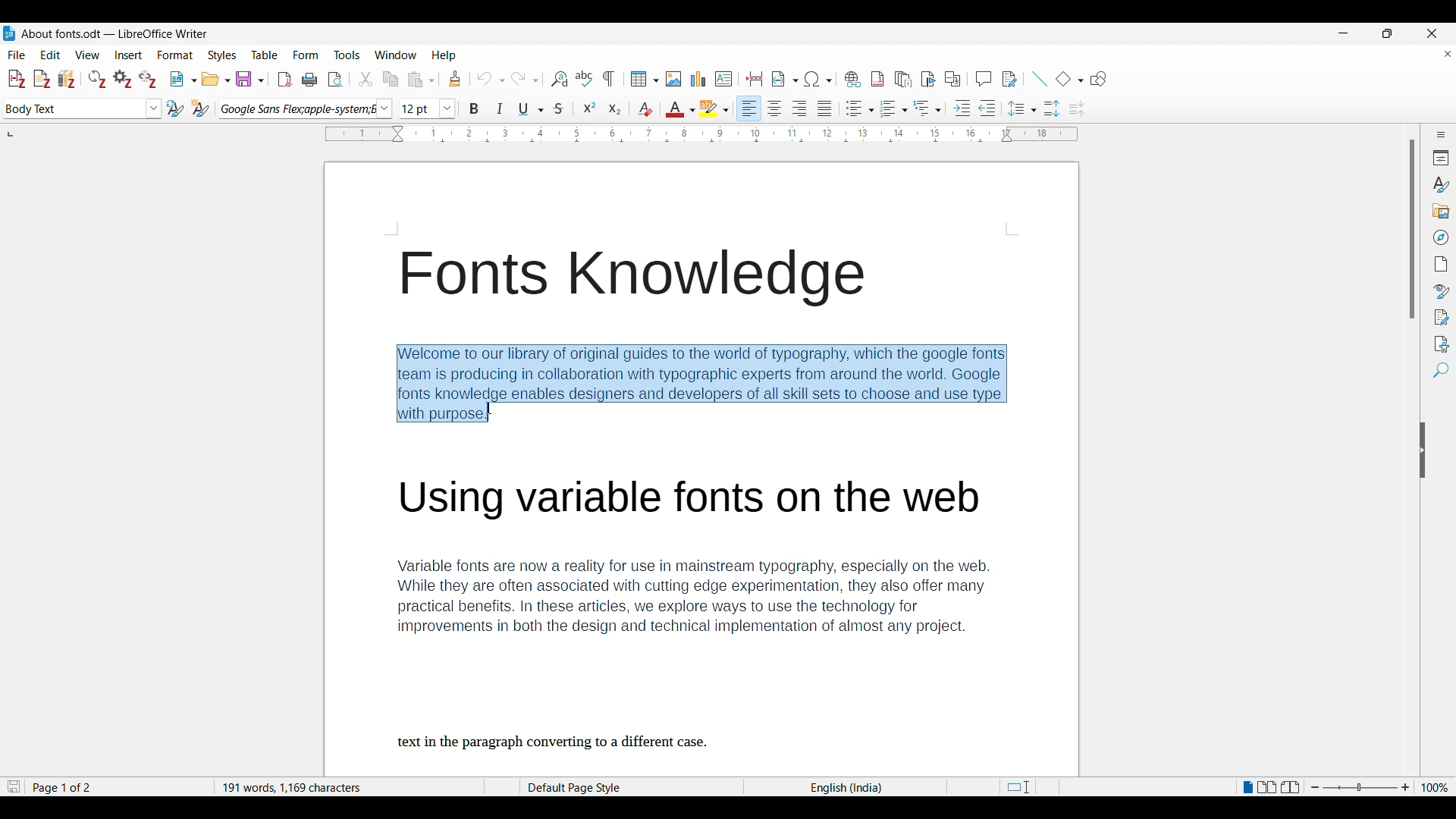 The height and width of the screenshot is (819, 1456). What do you see at coordinates (1247, 786) in the screenshot?
I see `Single page view` at bounding box center [1247, 786].